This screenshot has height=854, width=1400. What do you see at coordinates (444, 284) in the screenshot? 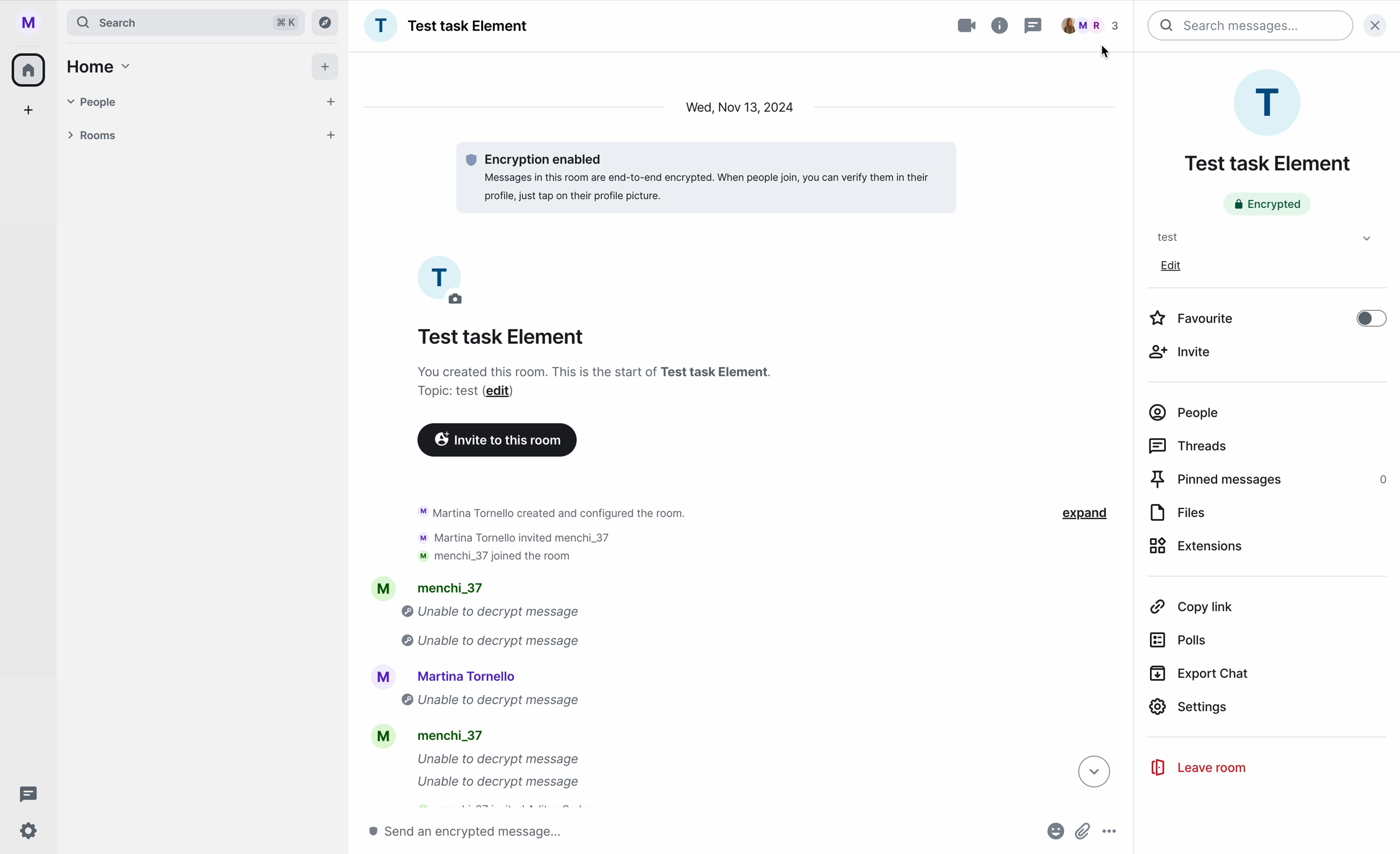
I see `picture profile` at bounding box center [444, 284].